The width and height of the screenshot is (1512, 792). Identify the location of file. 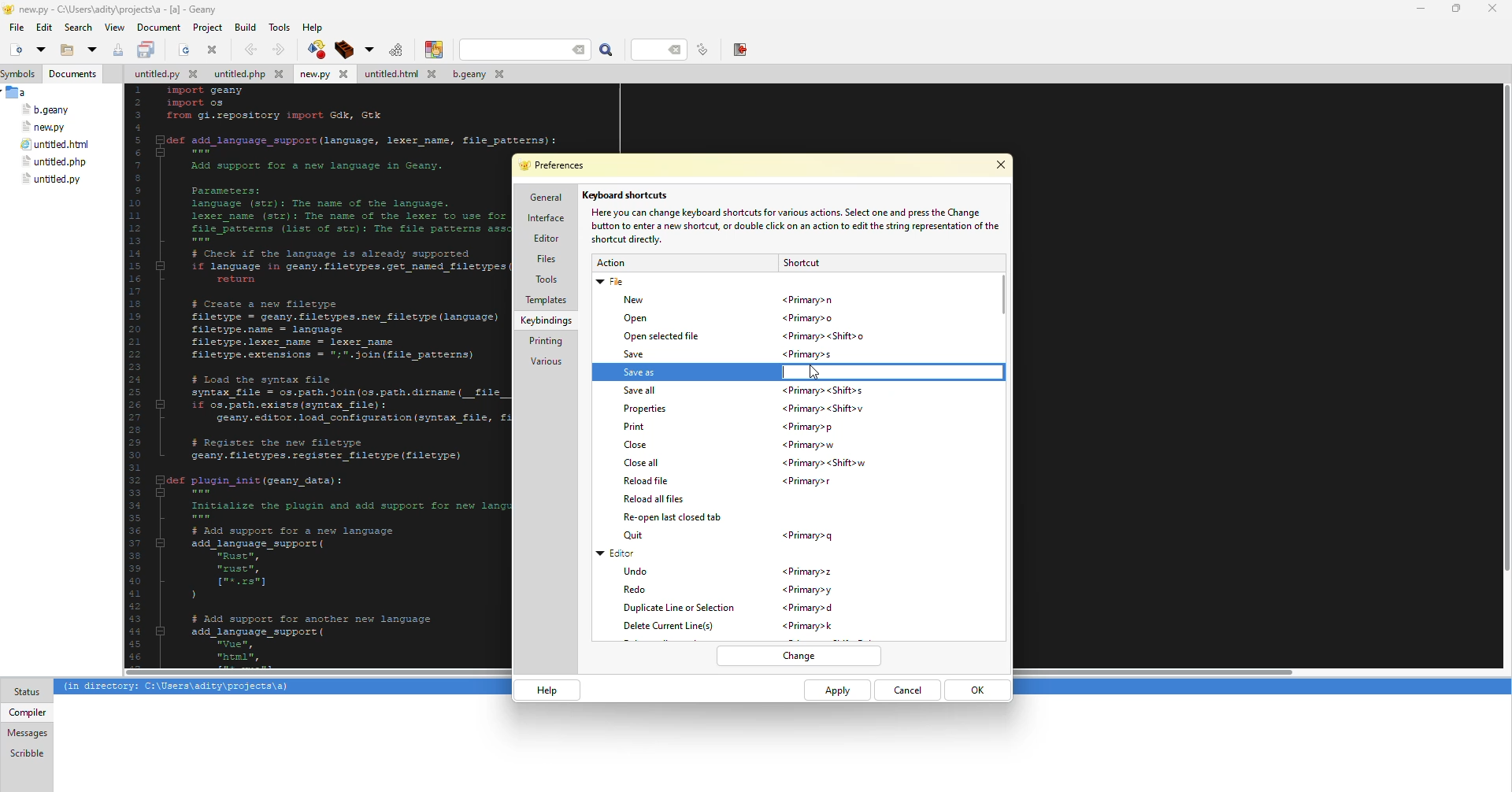
(51, 179).